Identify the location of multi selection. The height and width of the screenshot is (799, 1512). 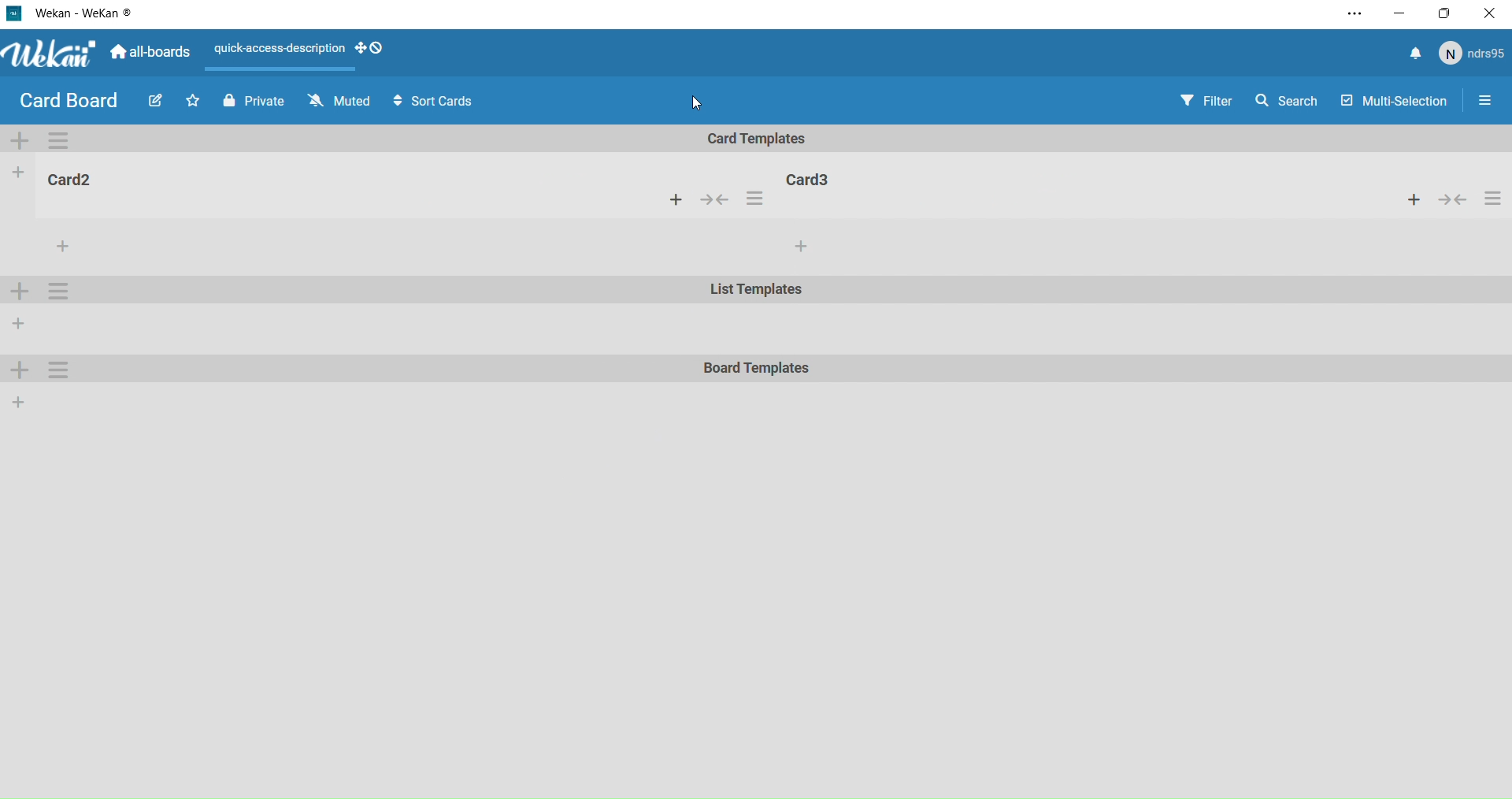
(1395, 102).